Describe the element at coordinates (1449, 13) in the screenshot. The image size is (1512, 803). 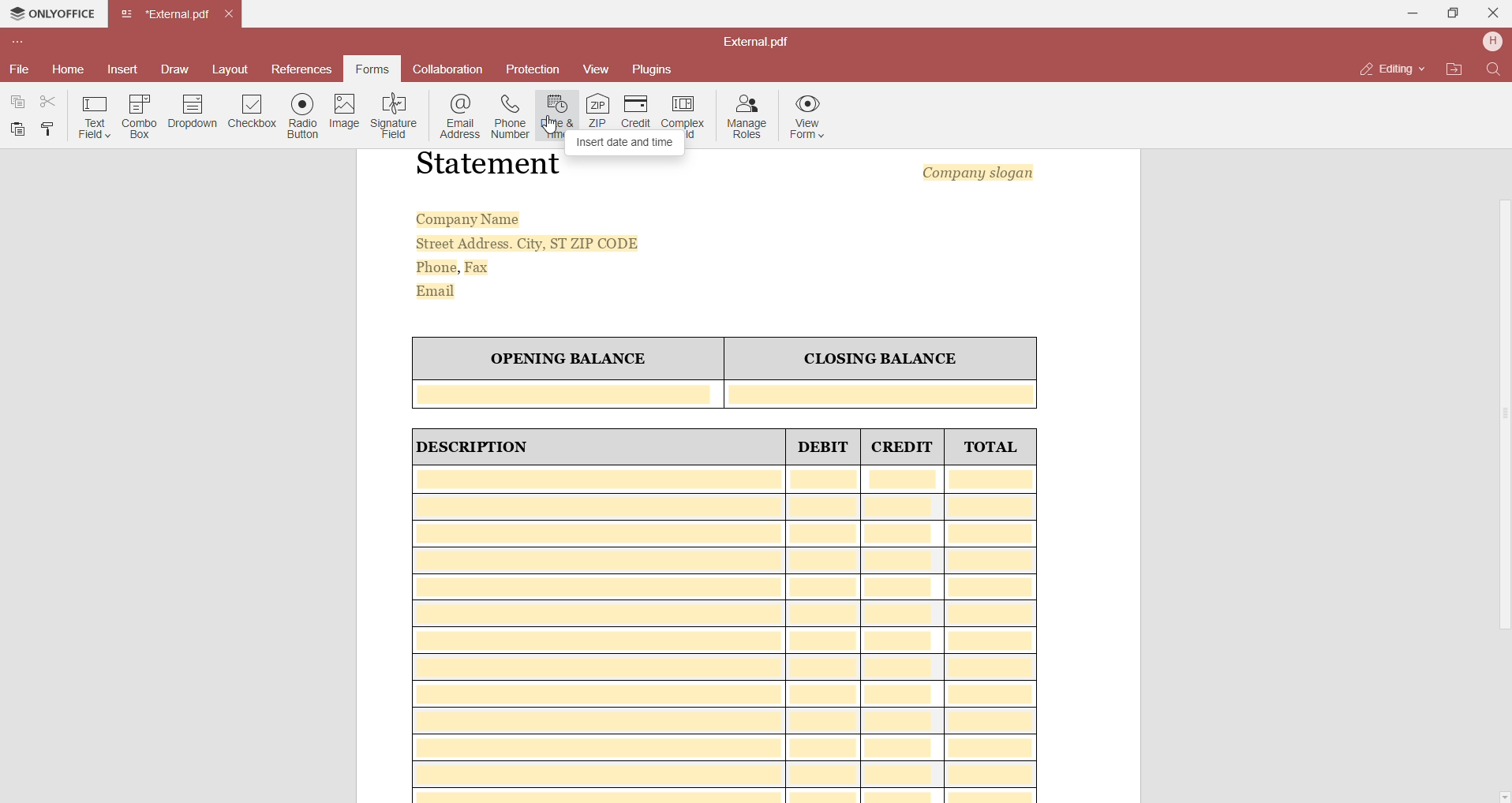
I see `Maximize` at that location.